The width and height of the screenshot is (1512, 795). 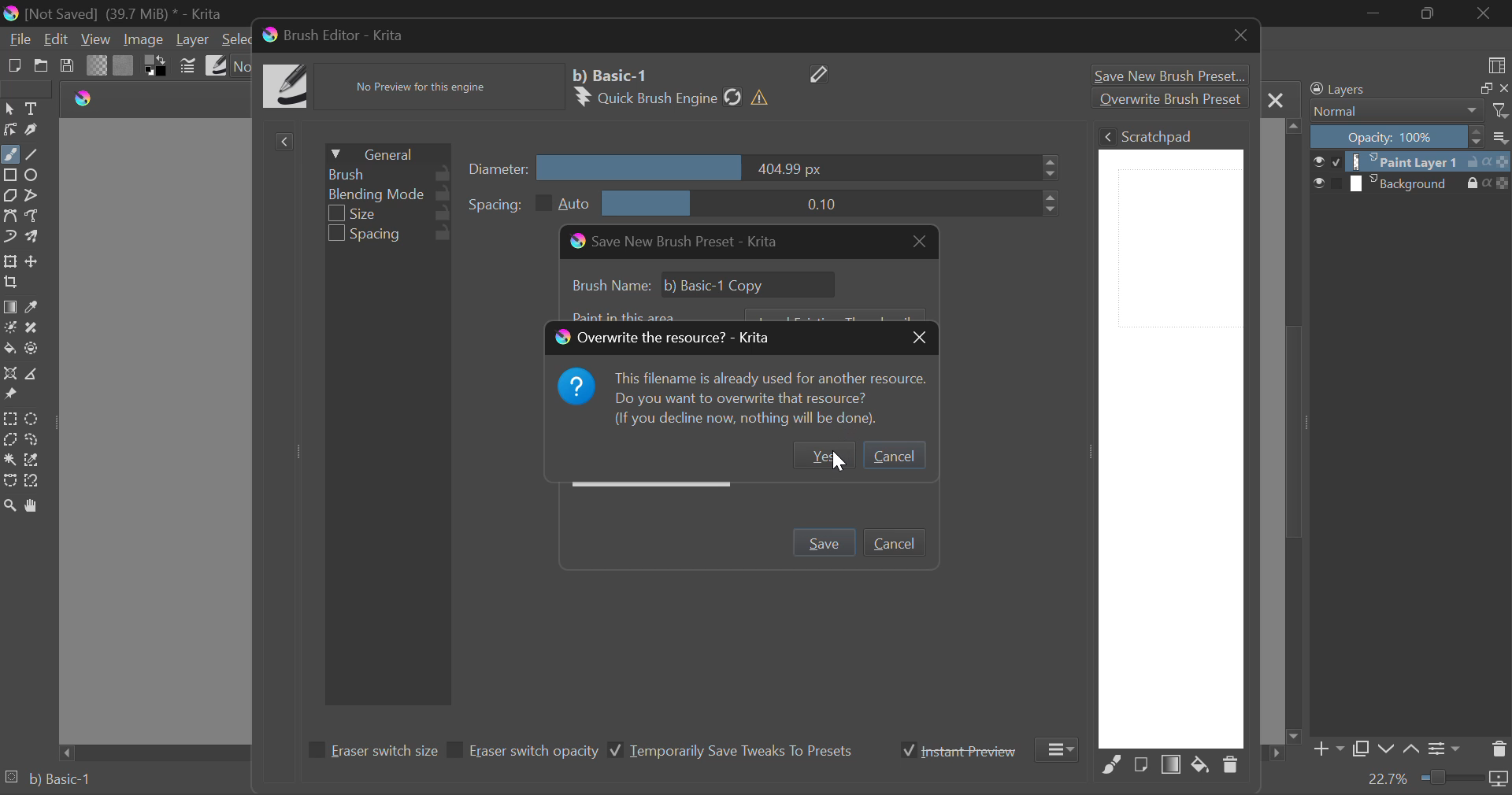 I want to click on Text, so click(x=31, y=109).